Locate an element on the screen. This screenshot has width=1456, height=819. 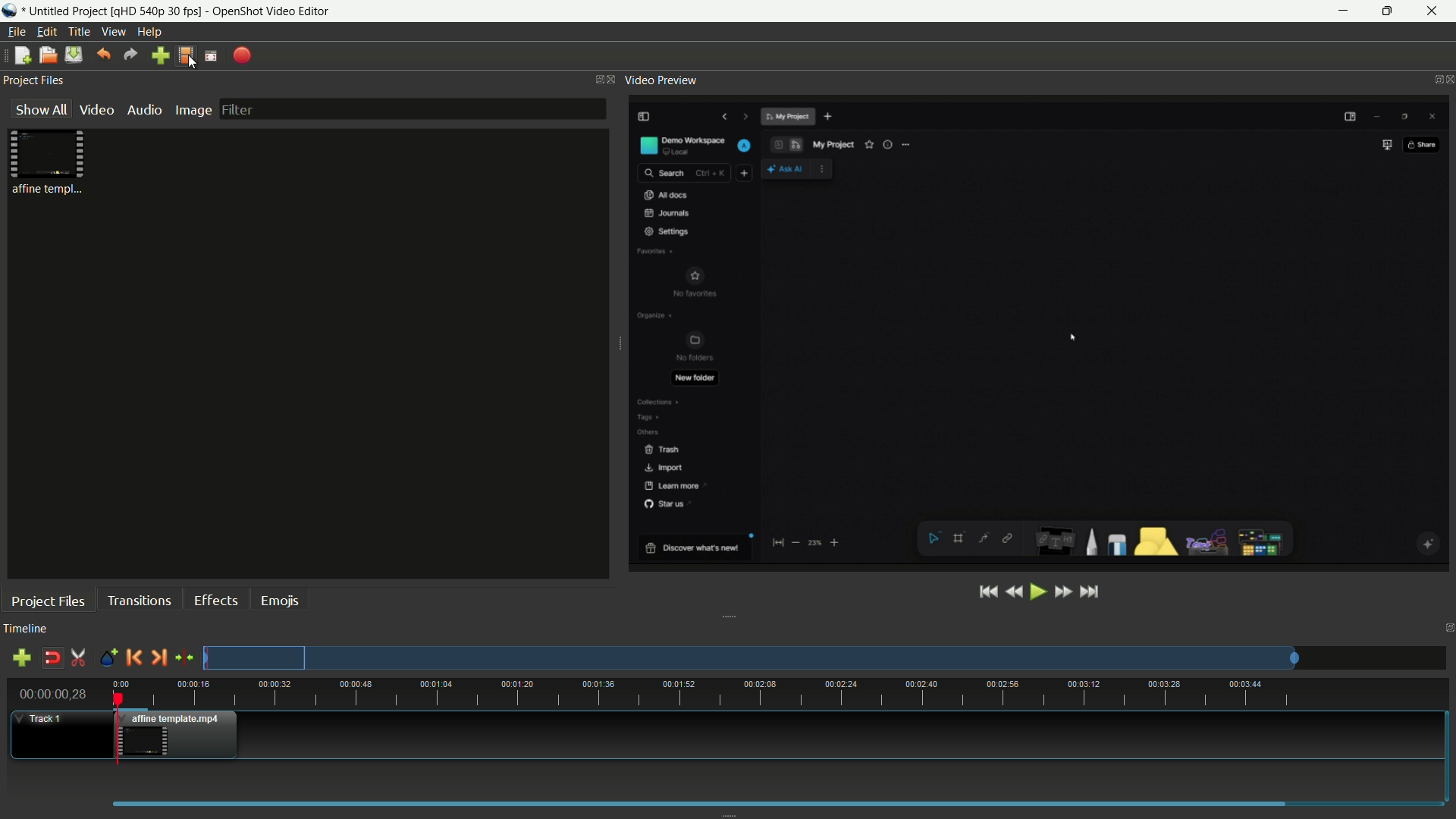
help menu is located at coordinates (149, 32).